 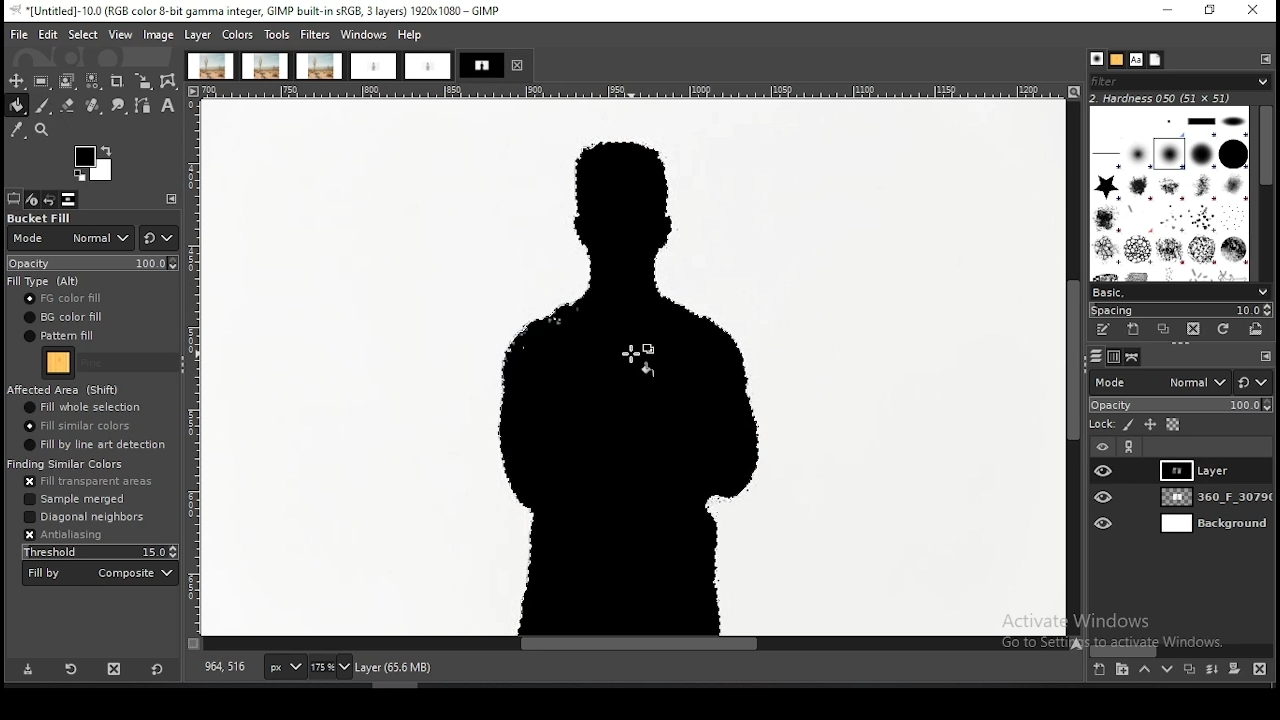 I want to click on fonts, so click(x=1136, y=60).